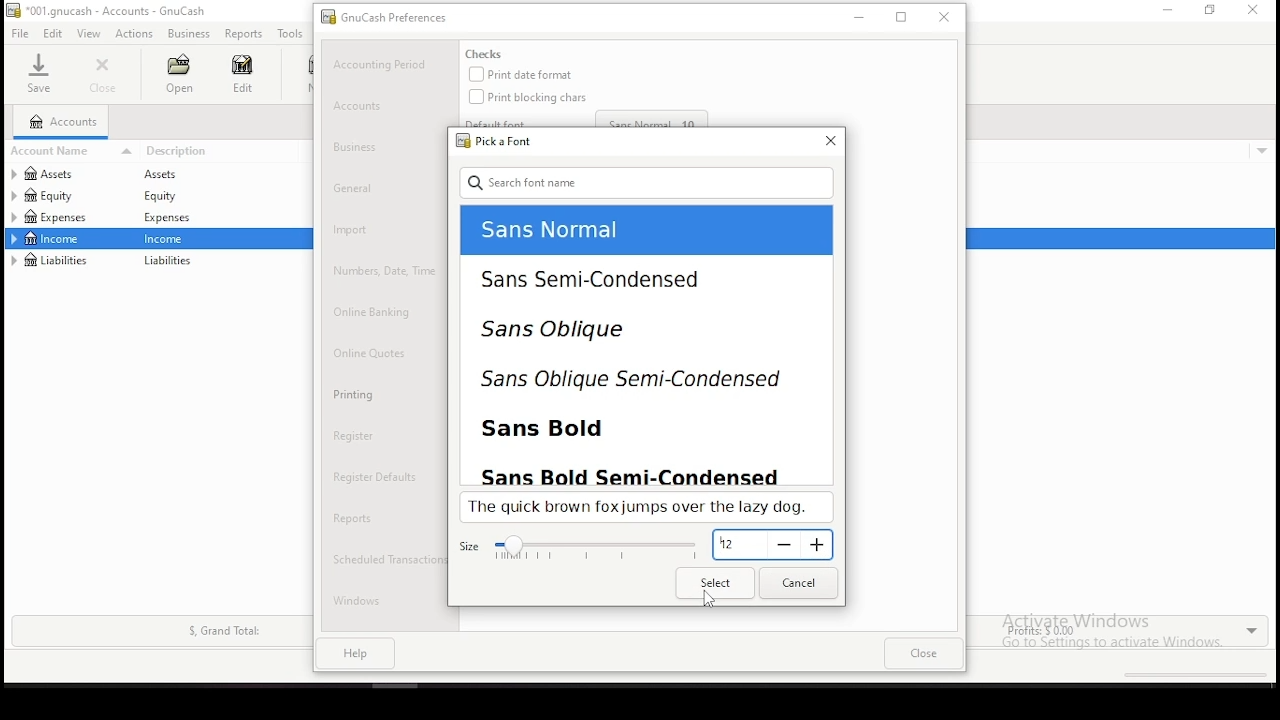  Describe the element at coordinates (38, 73) in the screenshot. I see `save` at that location.